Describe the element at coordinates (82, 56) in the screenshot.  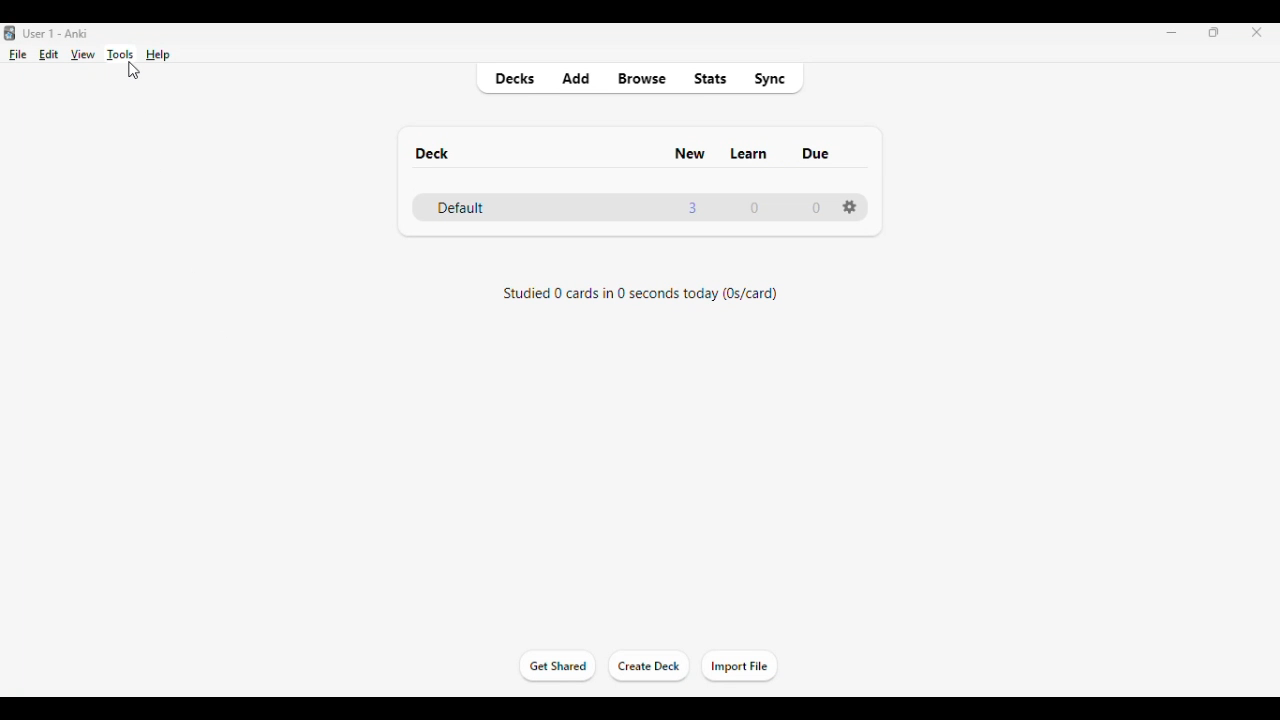
I see `view` at that location.